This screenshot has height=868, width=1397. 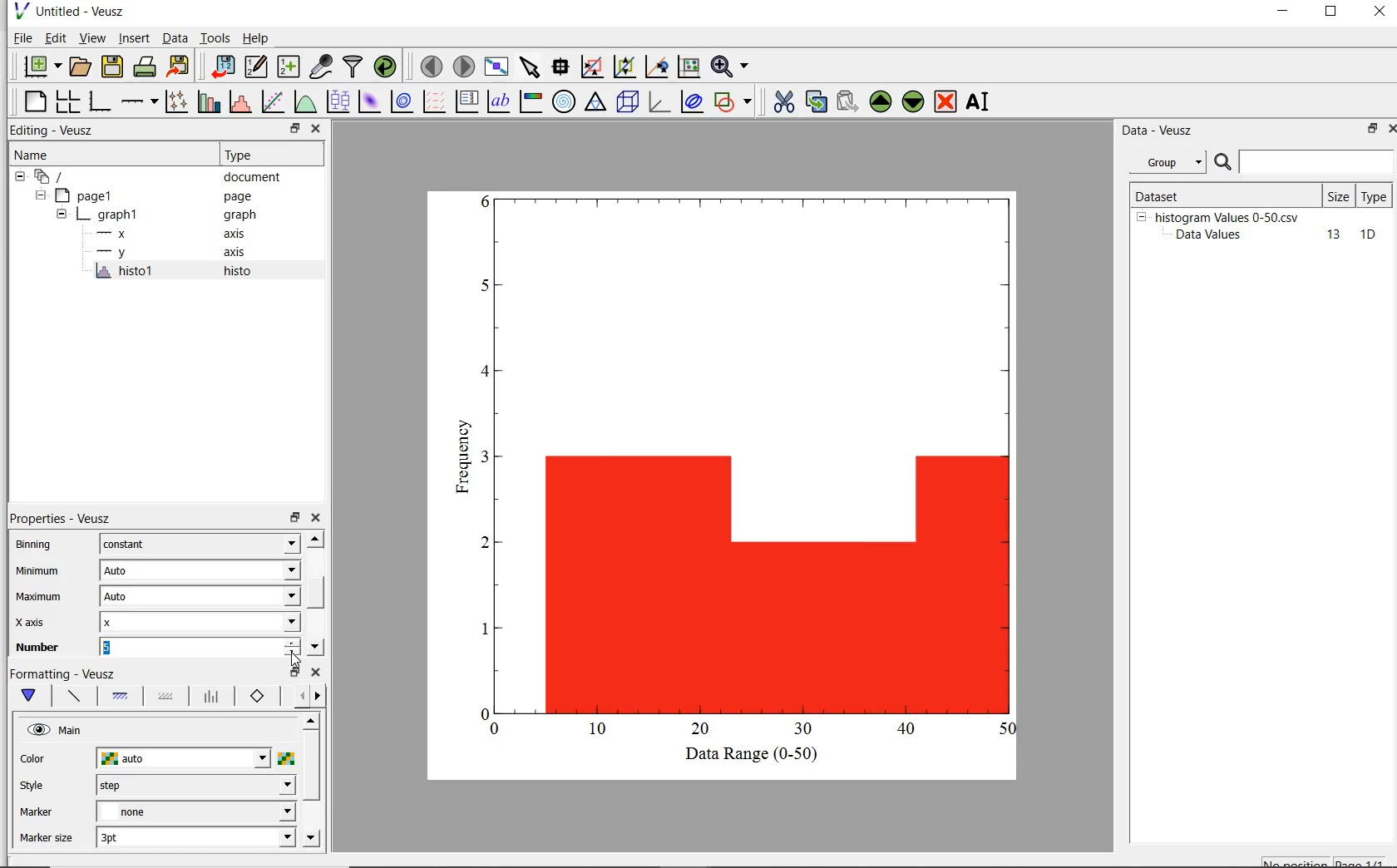 What do you see at coordinates (294, 518) in the screenshot?
I see `restore down` at bounding box center [294, 518].